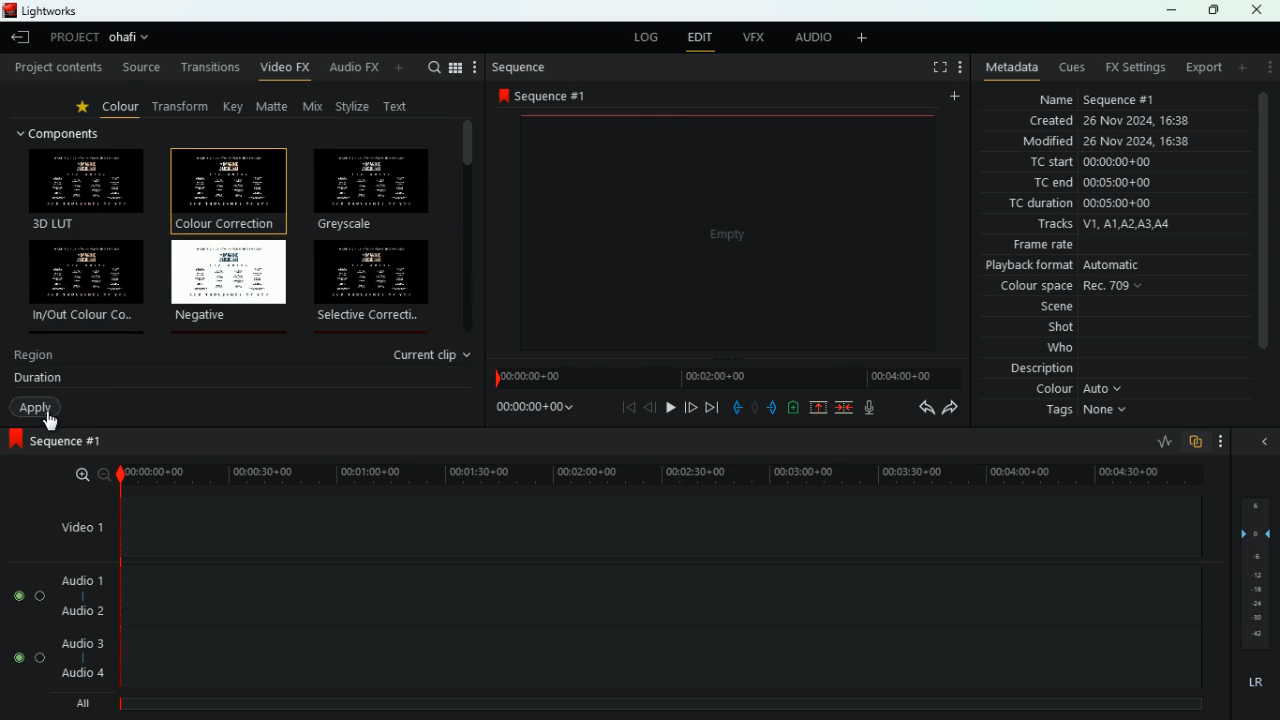  Describe the element at coordinates (646, 36) in the screenshot. I see `log` at that location.